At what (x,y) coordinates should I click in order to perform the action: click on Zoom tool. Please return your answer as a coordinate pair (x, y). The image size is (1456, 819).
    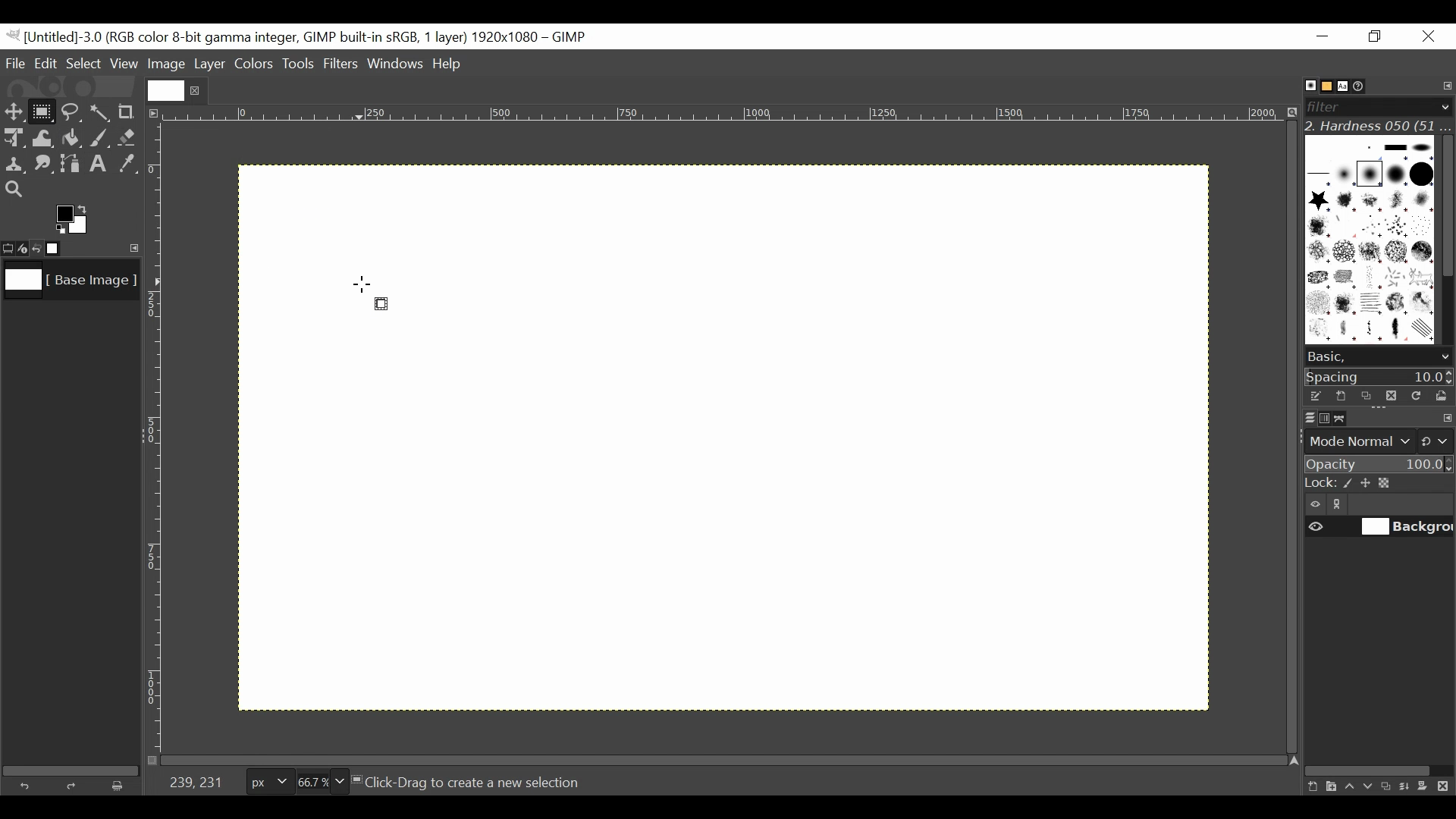
    Looking at the image, I should click on (14, 188).